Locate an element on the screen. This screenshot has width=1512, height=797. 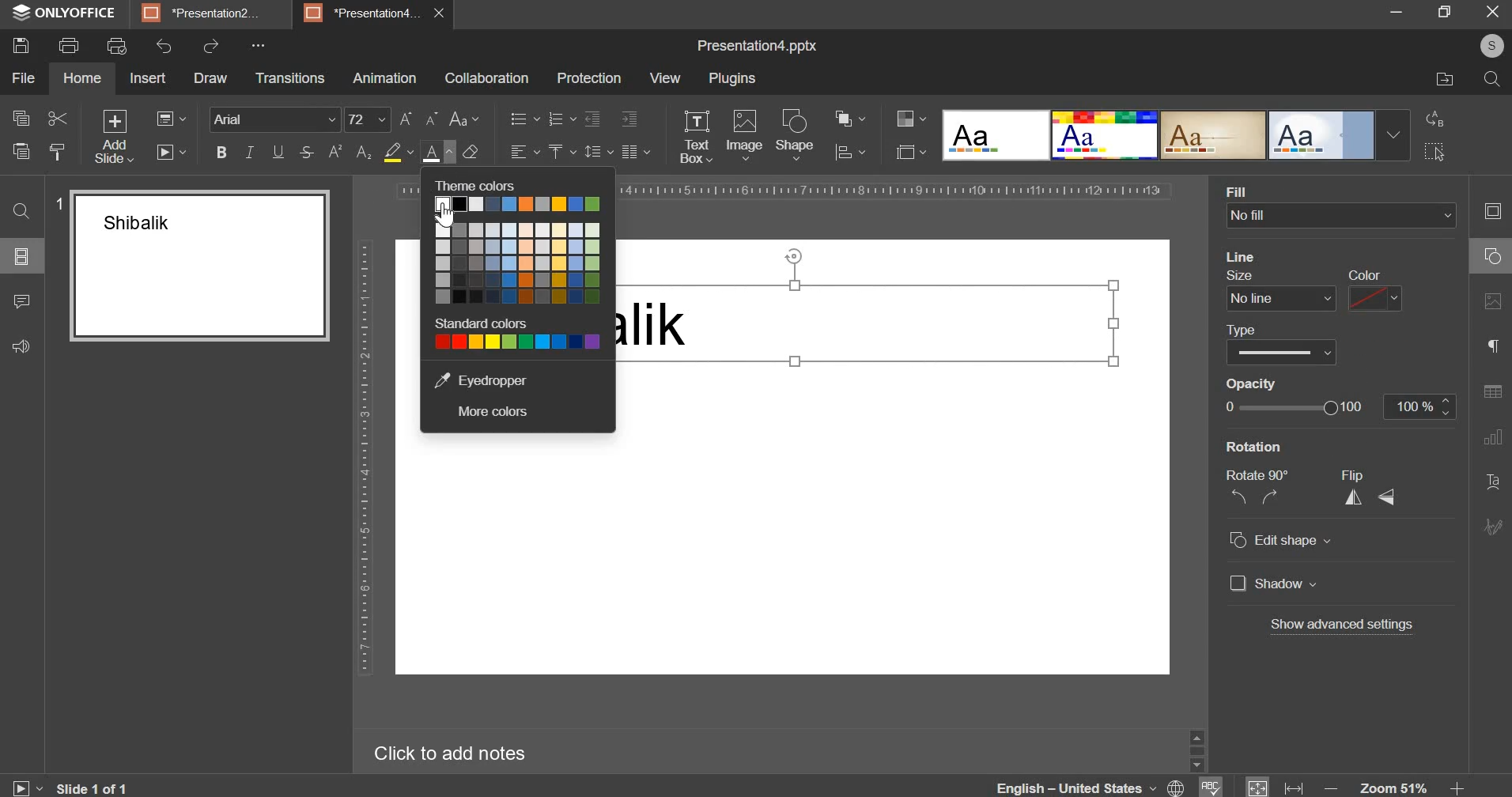
horizontal is located at coordinates (1392, 500).